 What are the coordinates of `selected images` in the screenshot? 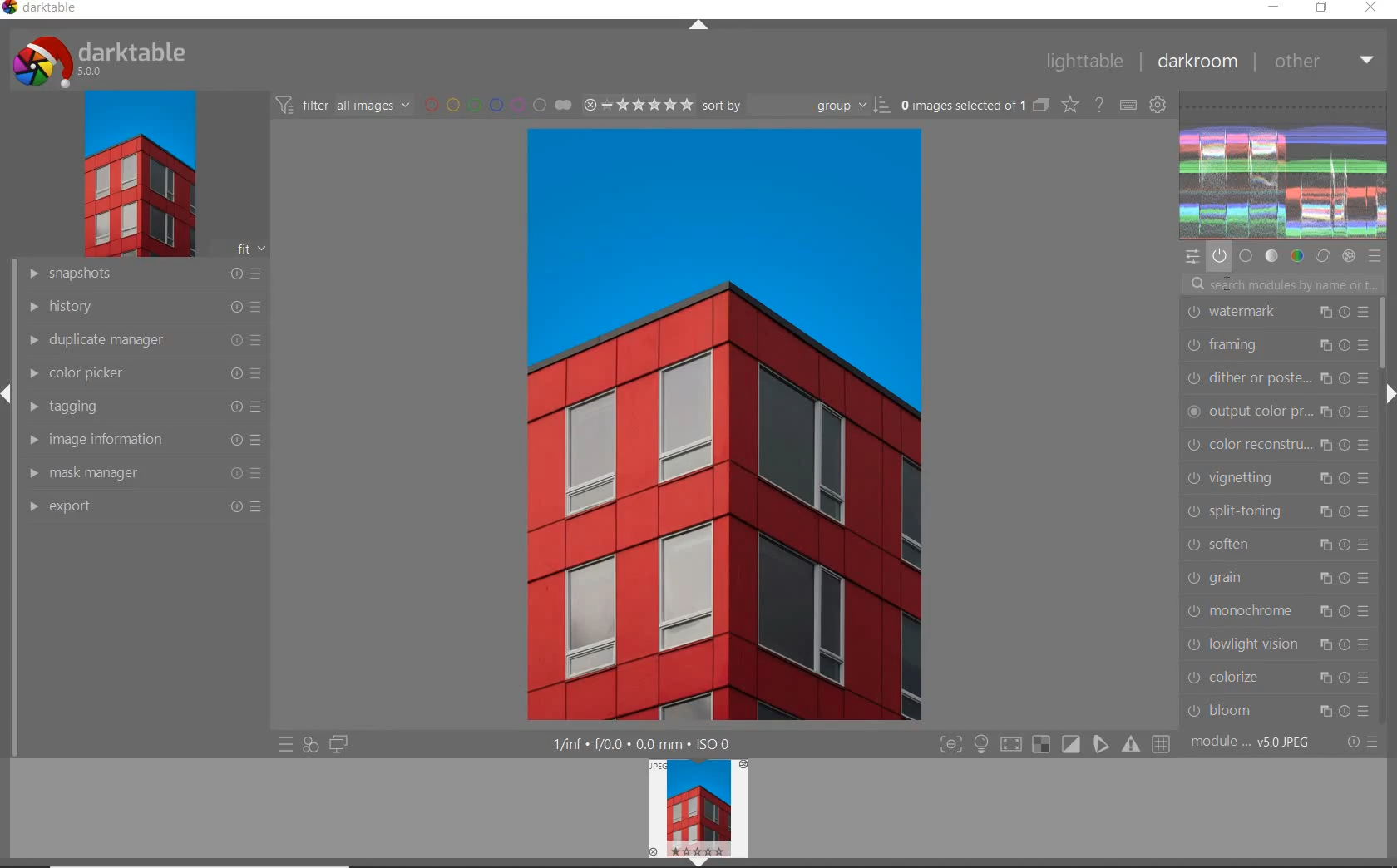 It's located at (960, 104).